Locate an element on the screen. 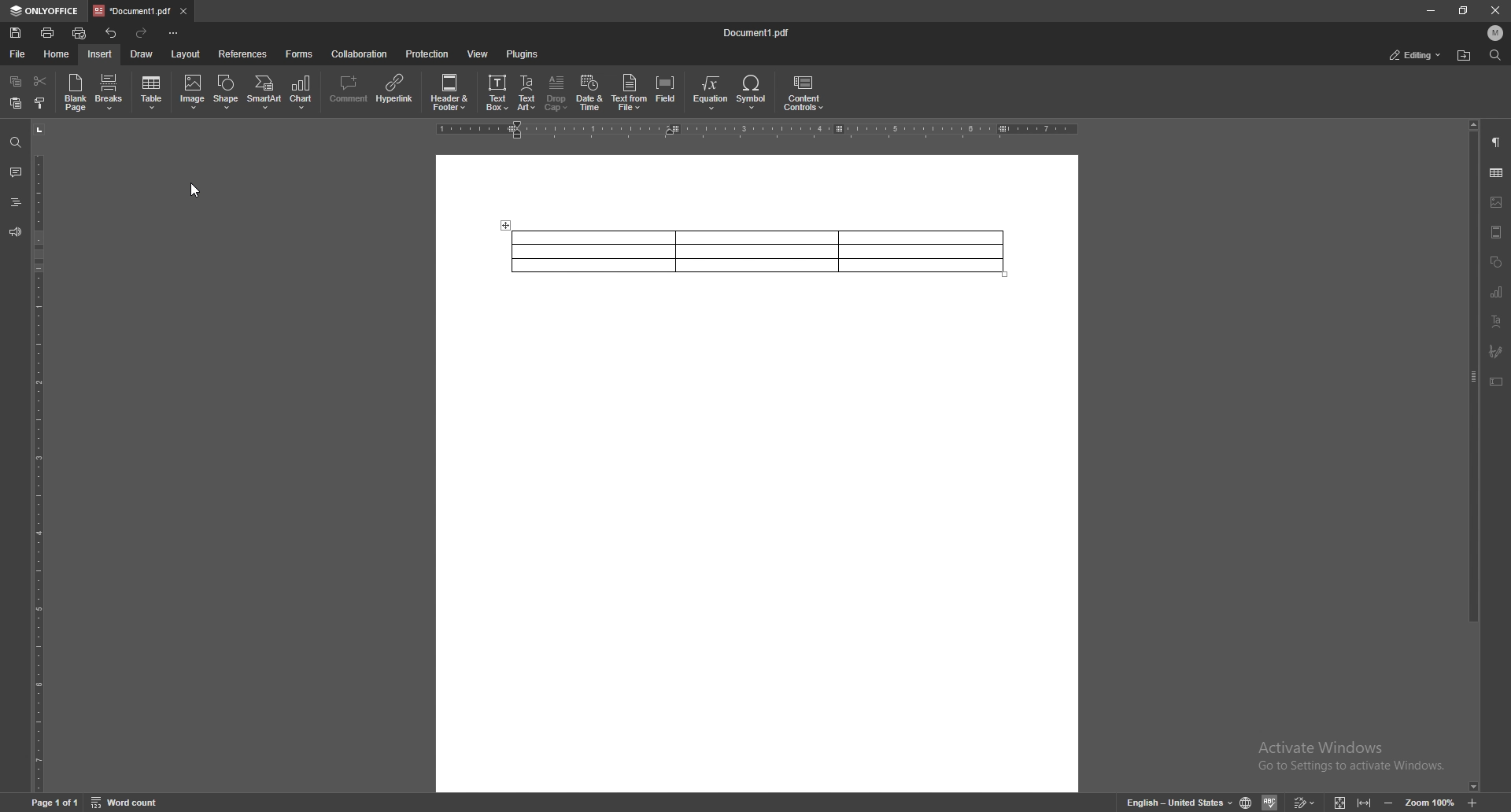 This screenshot has height=812, width=1511. signature field is located at coordinates (1498, 351).